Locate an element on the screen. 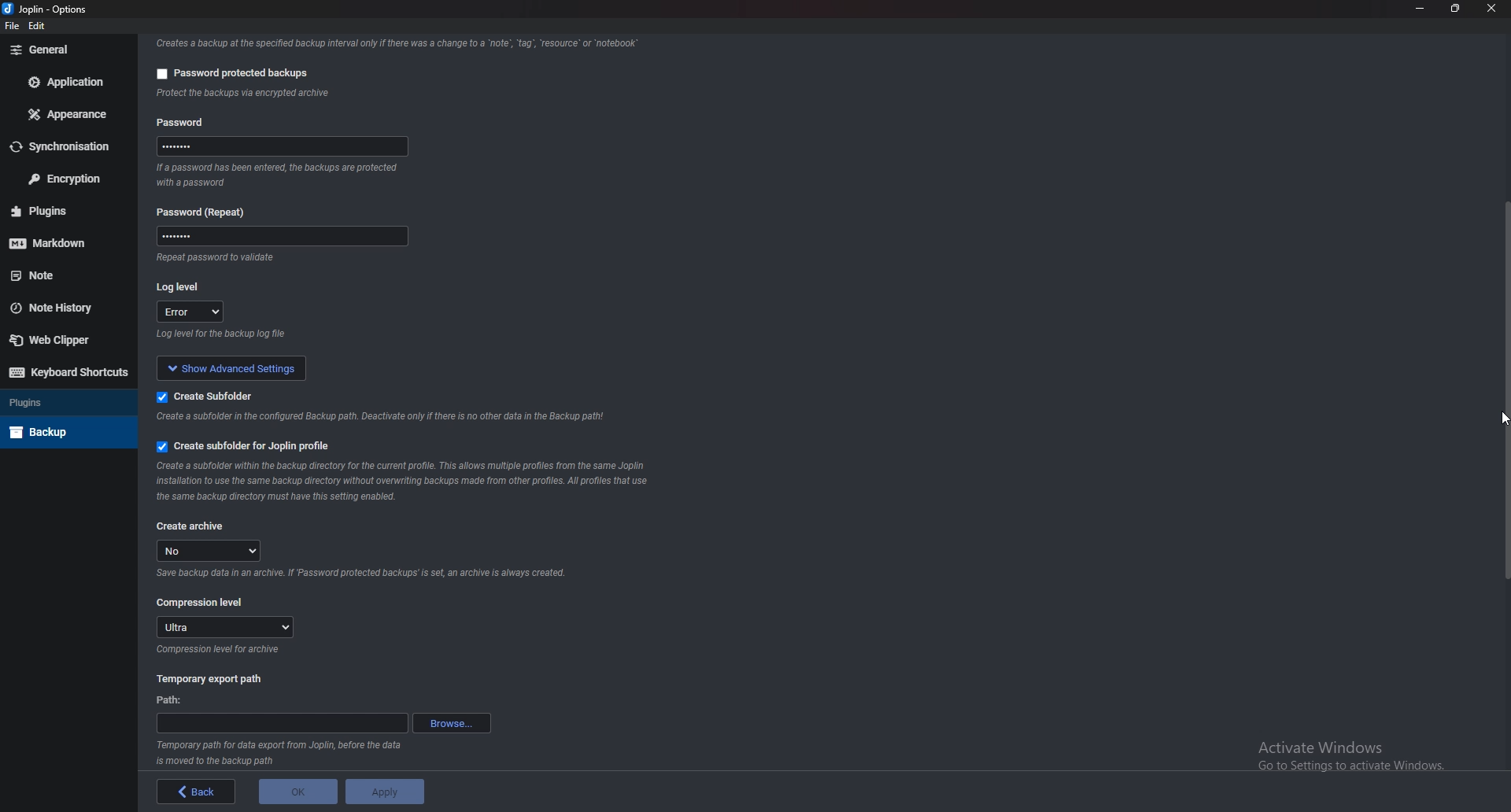 This screenshot has width=1511, height=812. Temporary export path is located at coordinates (209, 679).